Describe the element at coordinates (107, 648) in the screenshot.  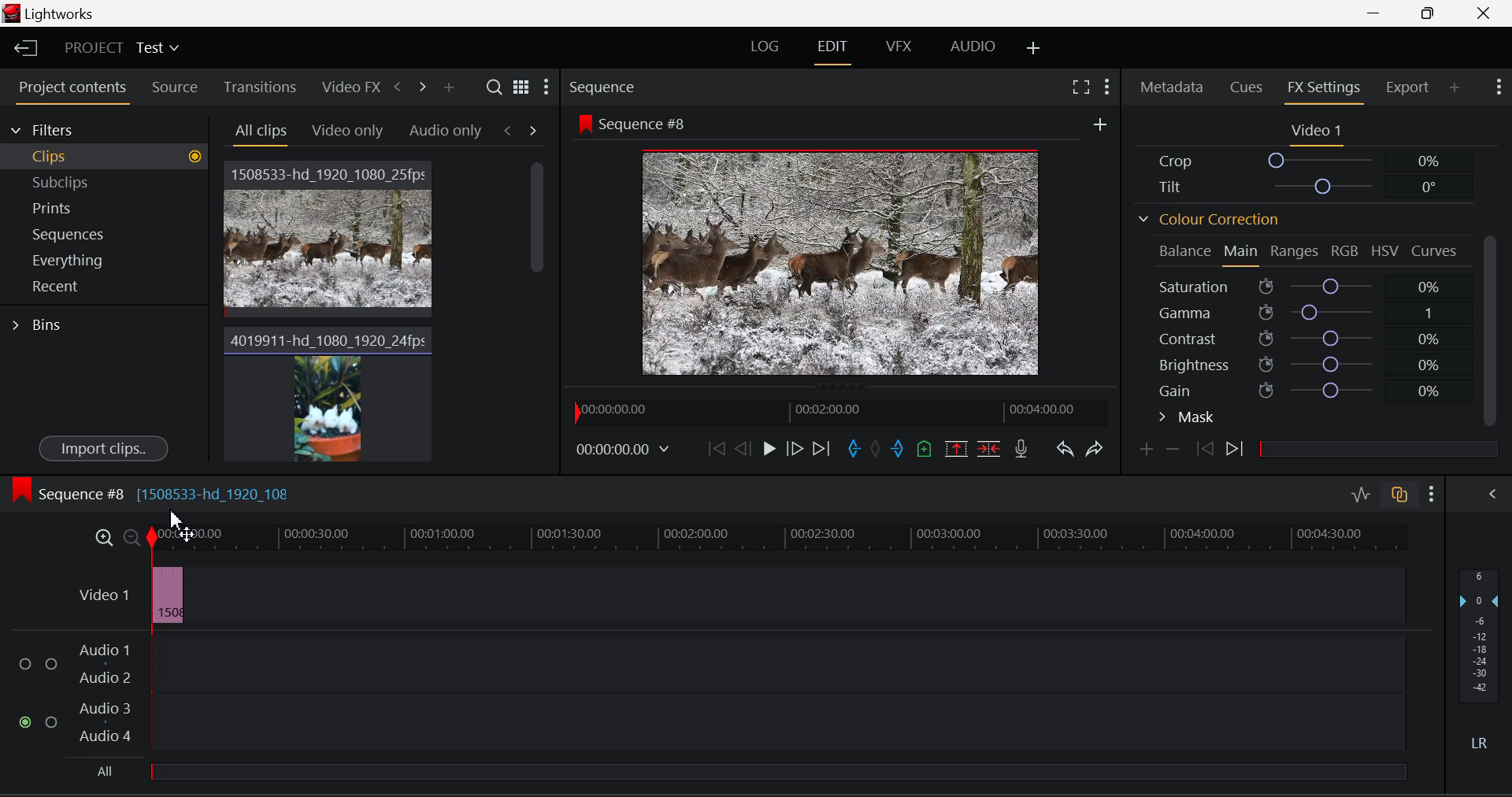
I see `Audio 1` at that location.